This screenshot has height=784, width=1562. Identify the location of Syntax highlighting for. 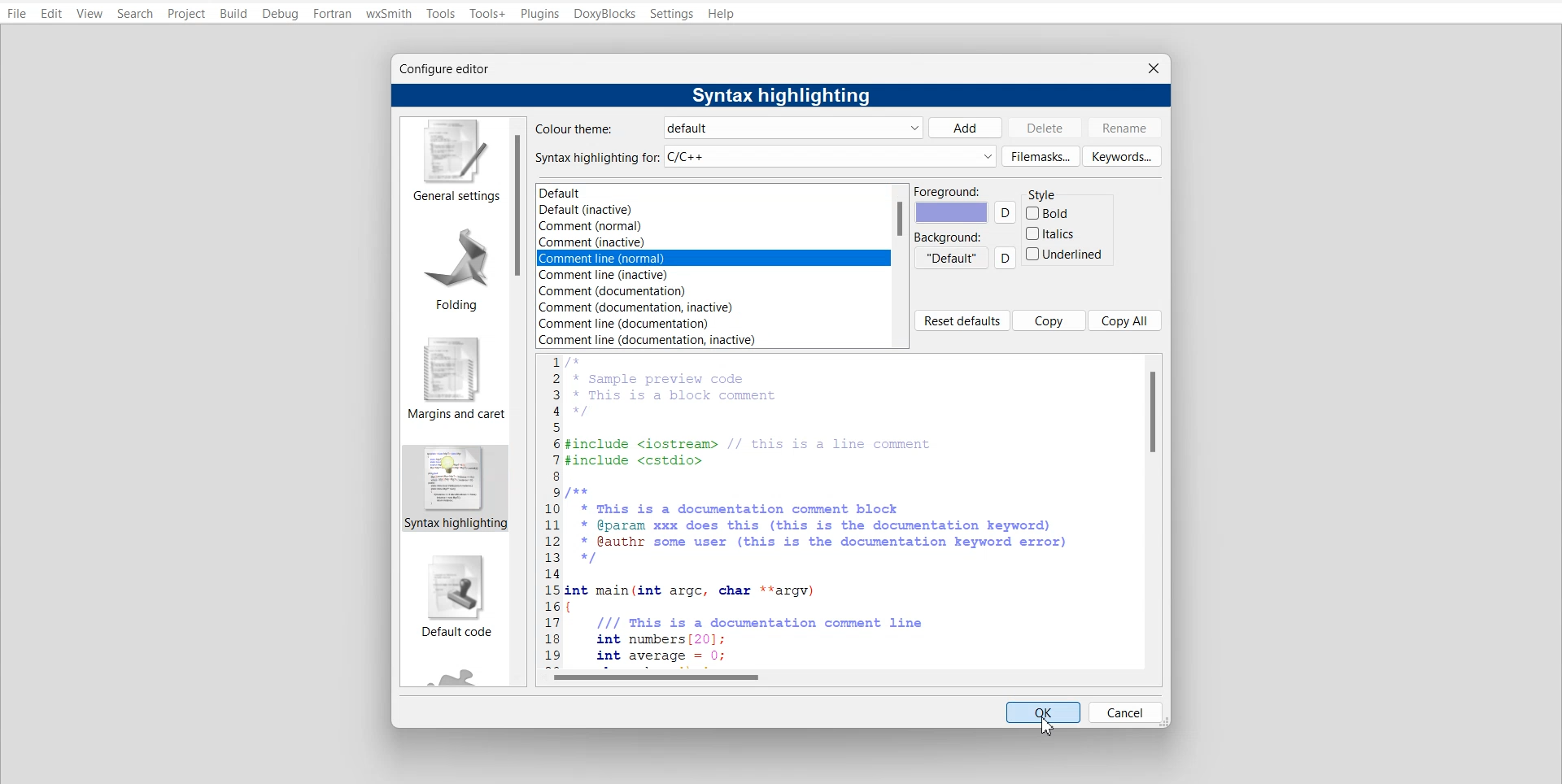
(765, 156).